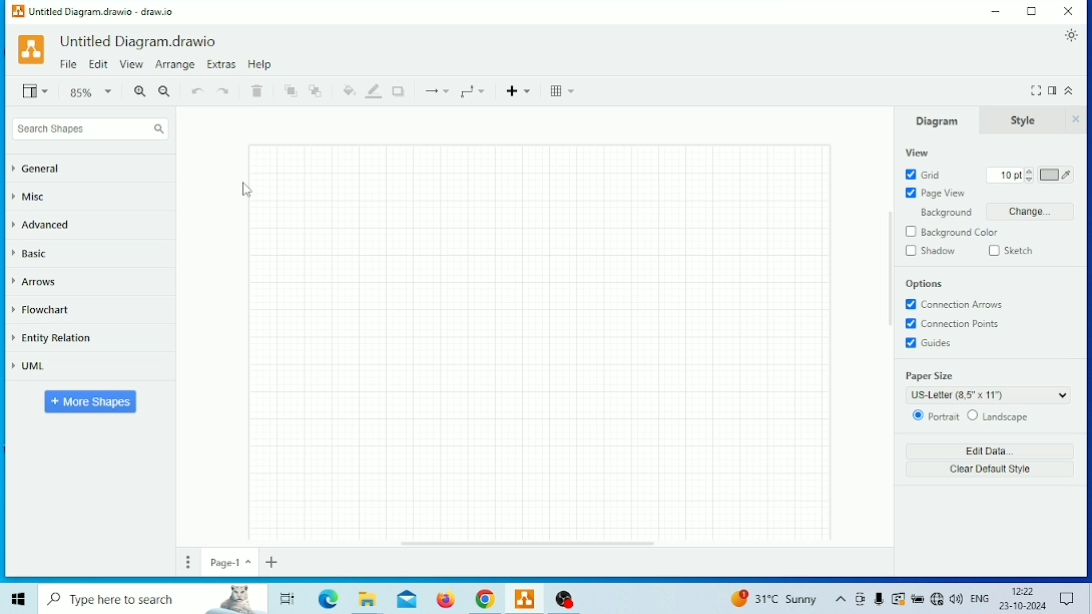 This screenshot has height=614, width=1092. I want to click on Grid, so click(923, 175).